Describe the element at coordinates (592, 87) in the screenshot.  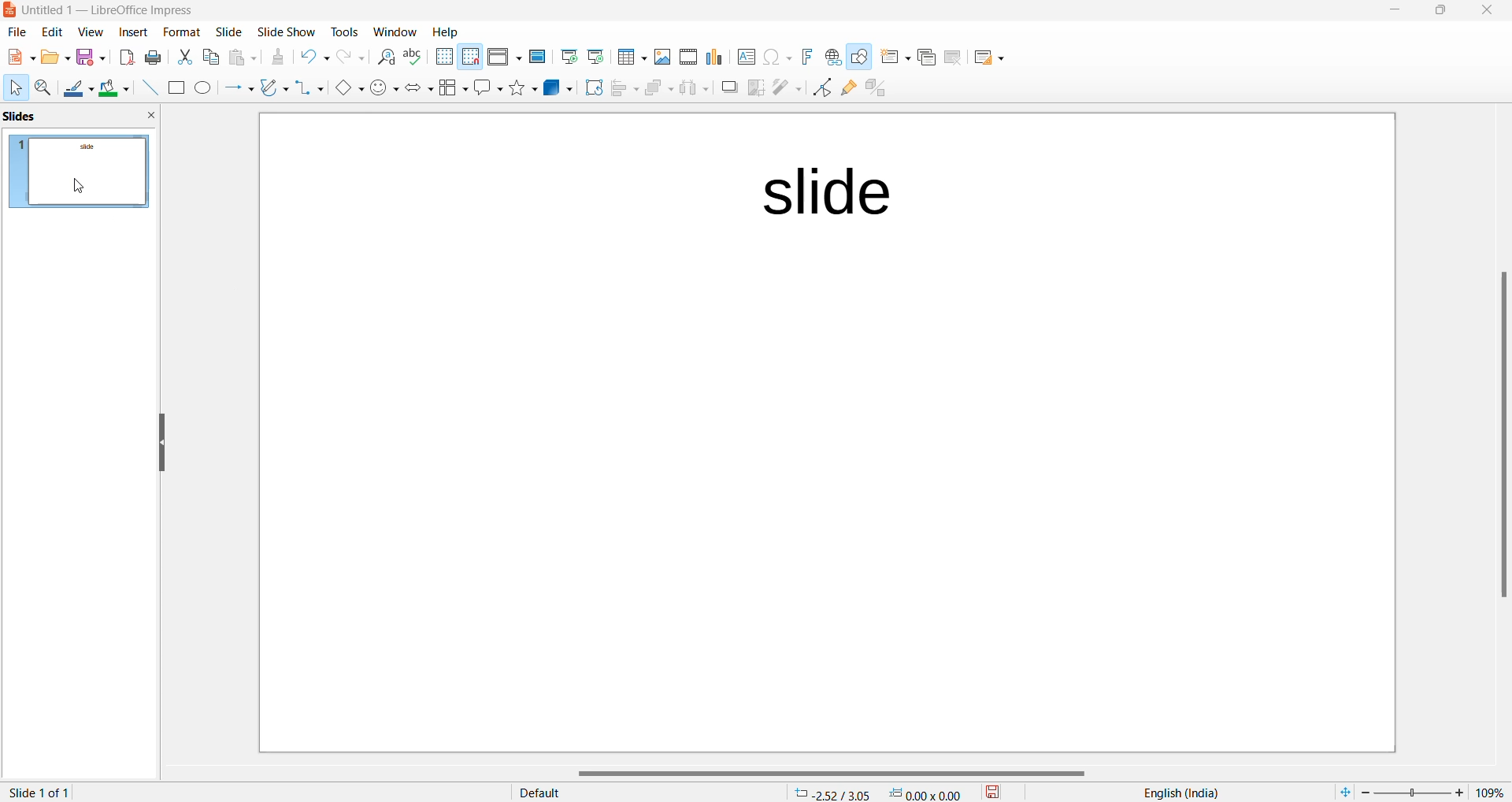
I see `rotate` at that location.